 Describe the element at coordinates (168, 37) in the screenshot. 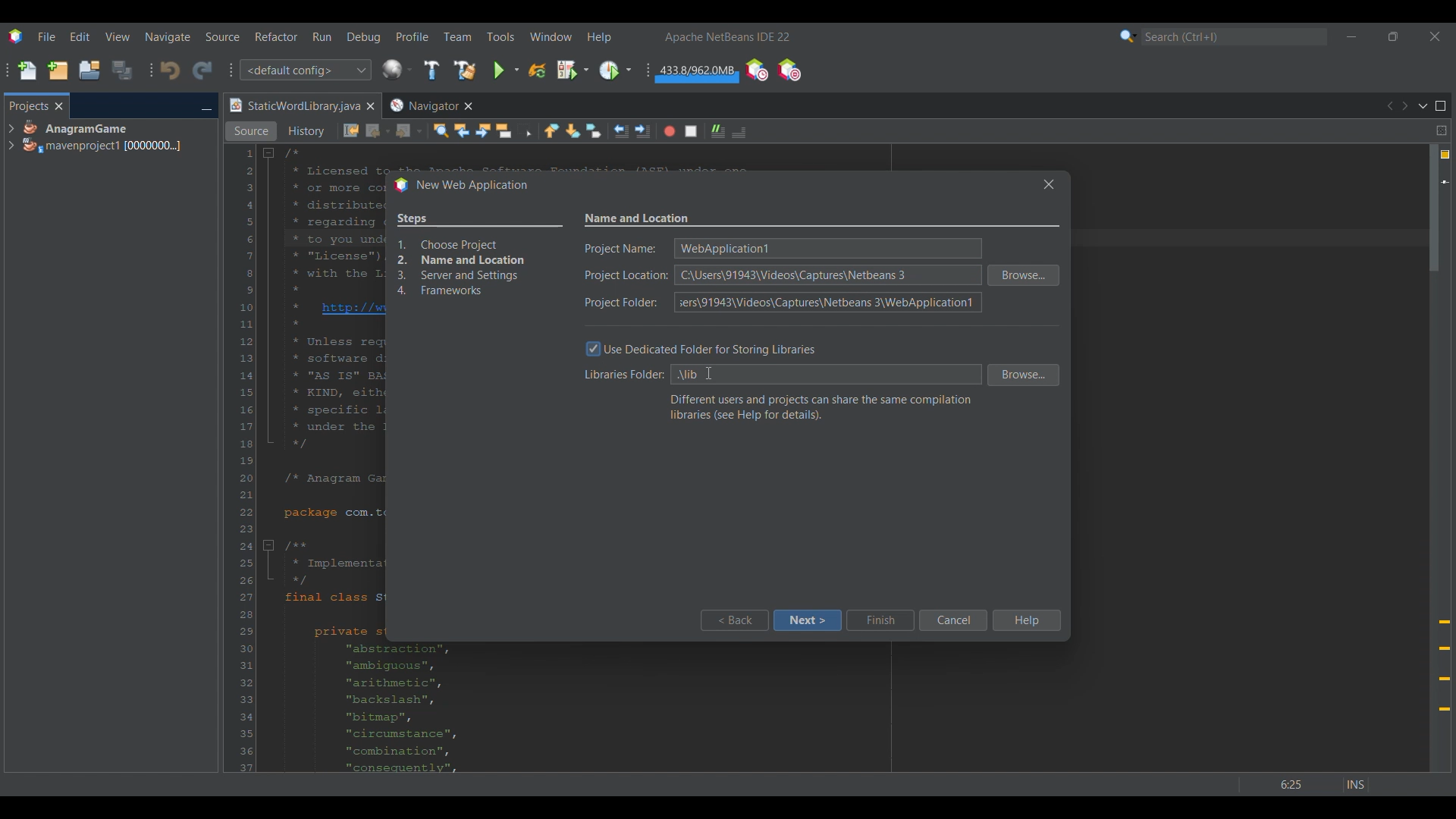

I see `Naviagate menu` at that location.